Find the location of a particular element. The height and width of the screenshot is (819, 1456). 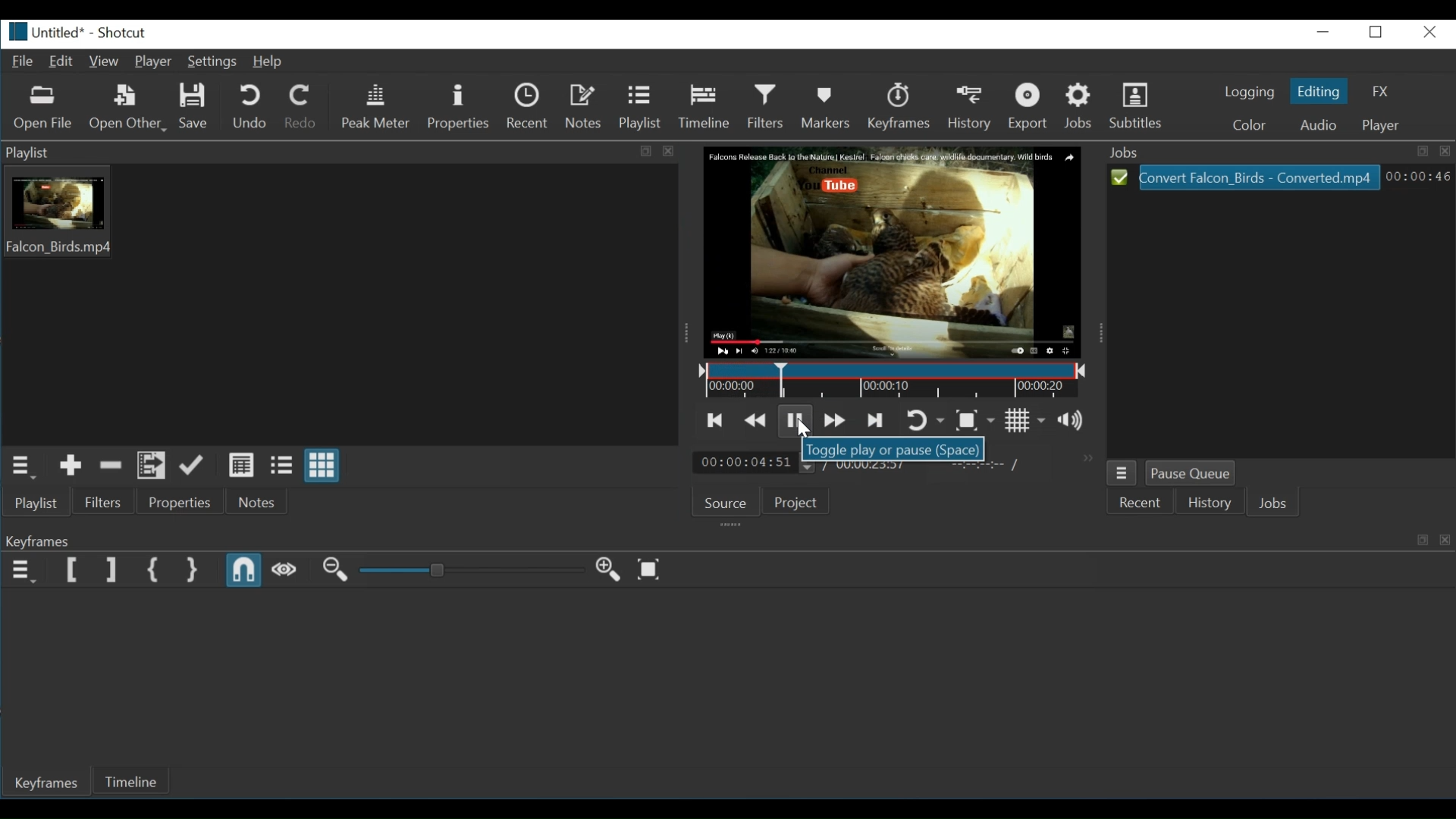

Scrub while dragging is located at coordinates (285, 570).